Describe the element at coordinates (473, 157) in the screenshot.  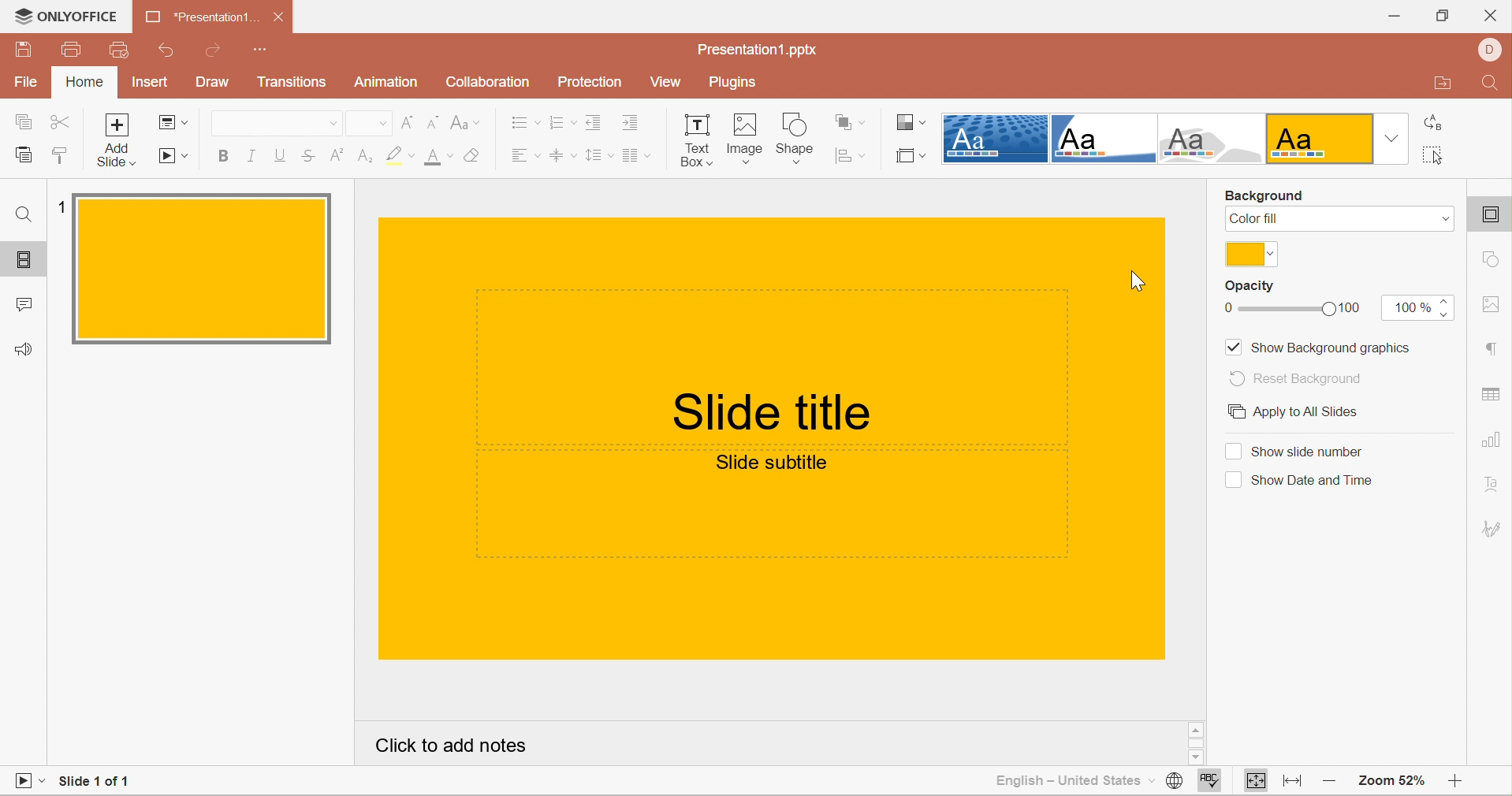
I see `Clear` at that location.